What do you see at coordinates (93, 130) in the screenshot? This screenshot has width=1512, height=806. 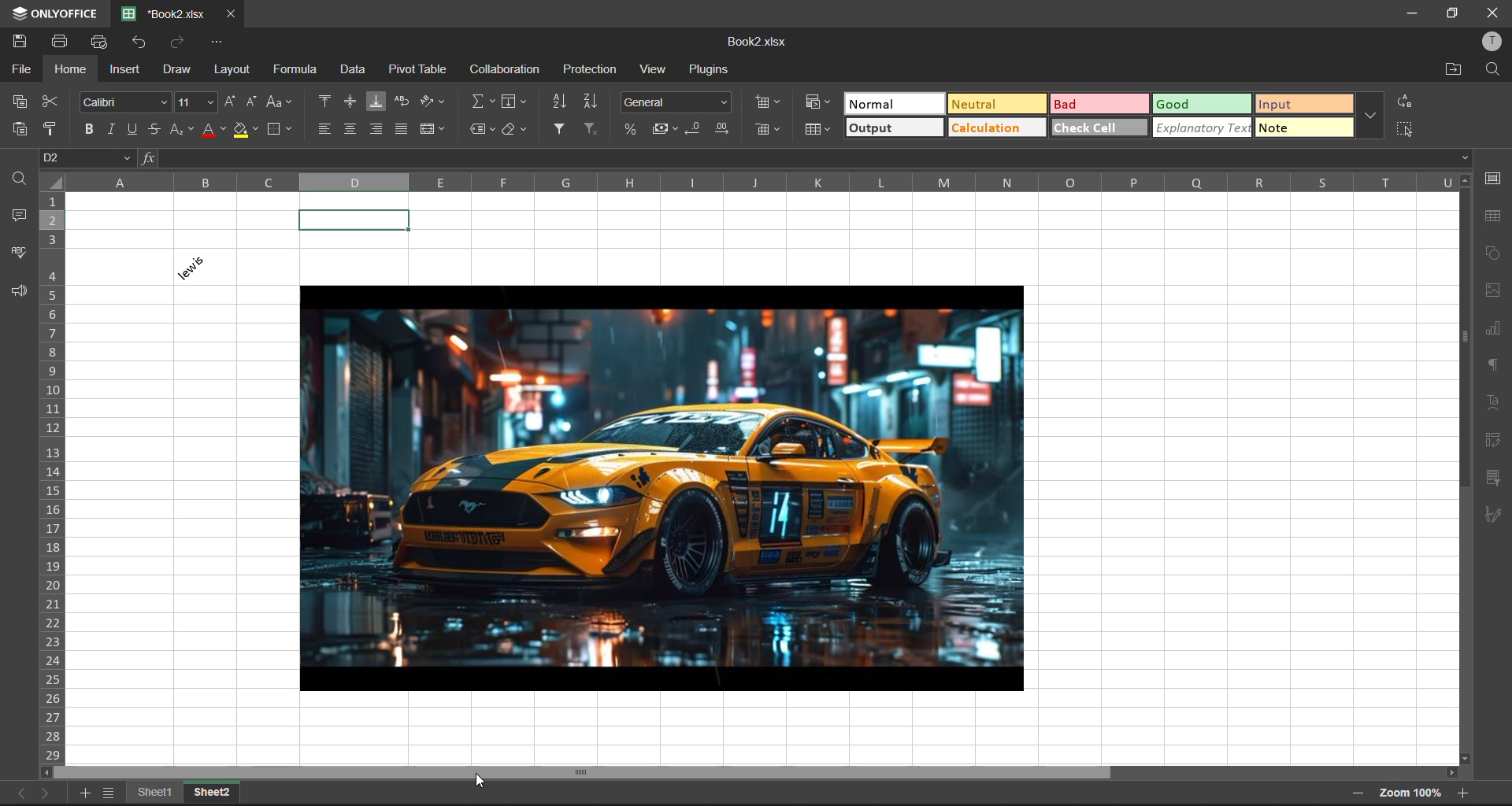 I see `bold` at bounding box center [93, 130].